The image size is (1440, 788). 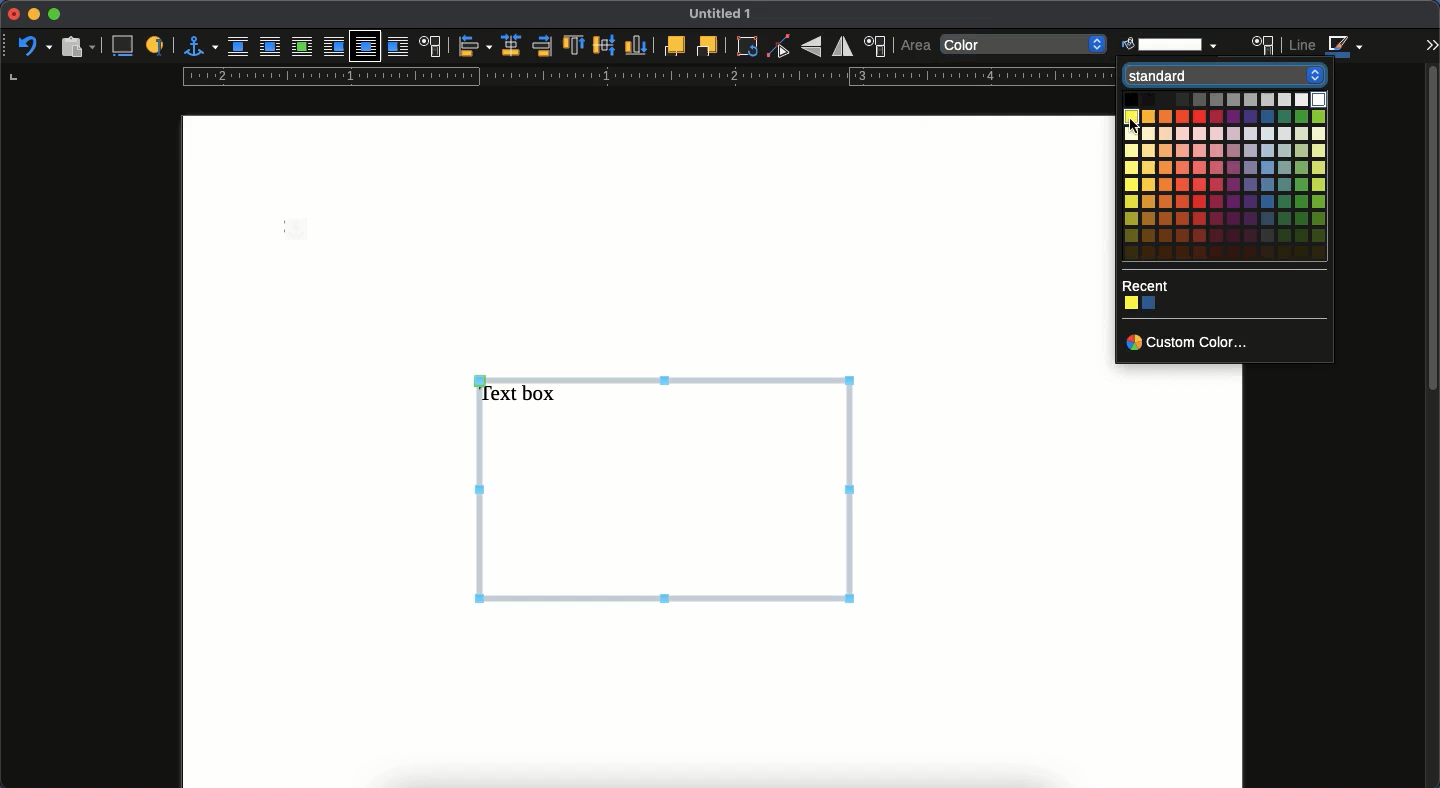 What do you see at coordinates (1264, 45) in the screenshot?
I see `area` at bounding box center [1264, 45].